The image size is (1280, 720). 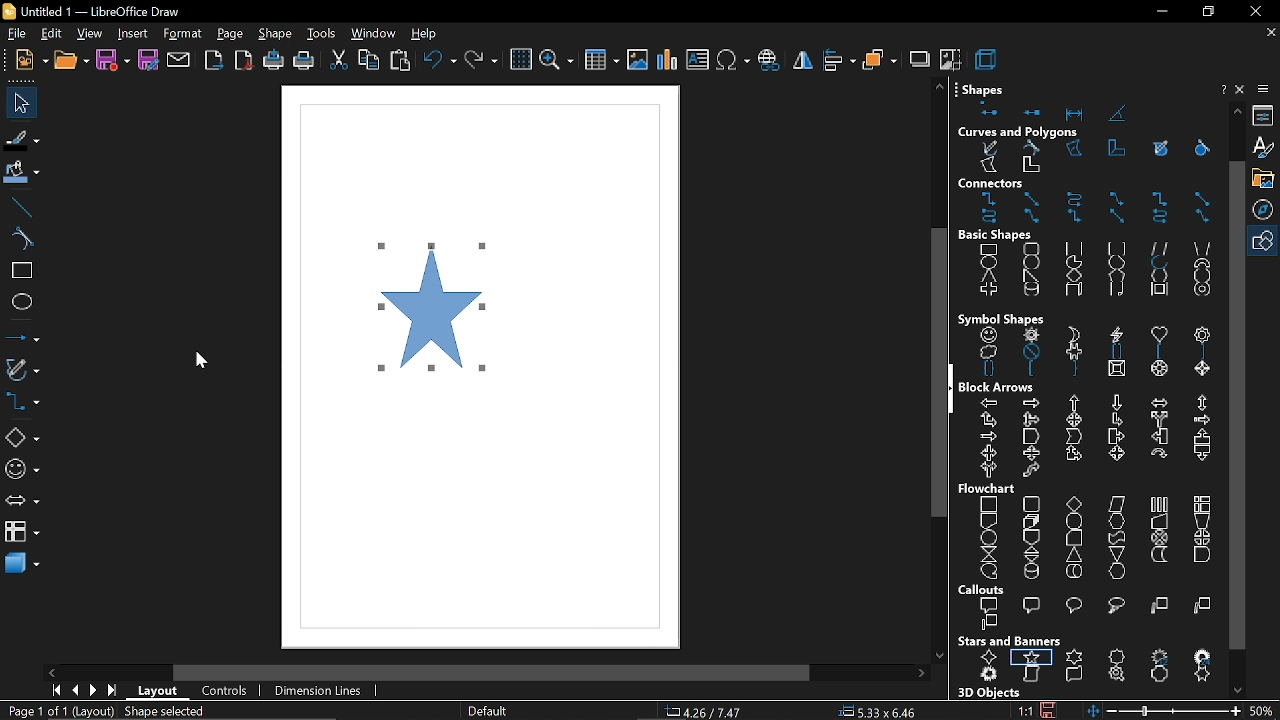 What do you see at coordinates (1265, 115) in the screenshot?
I see `properties` at bounding box center [1265, 115].